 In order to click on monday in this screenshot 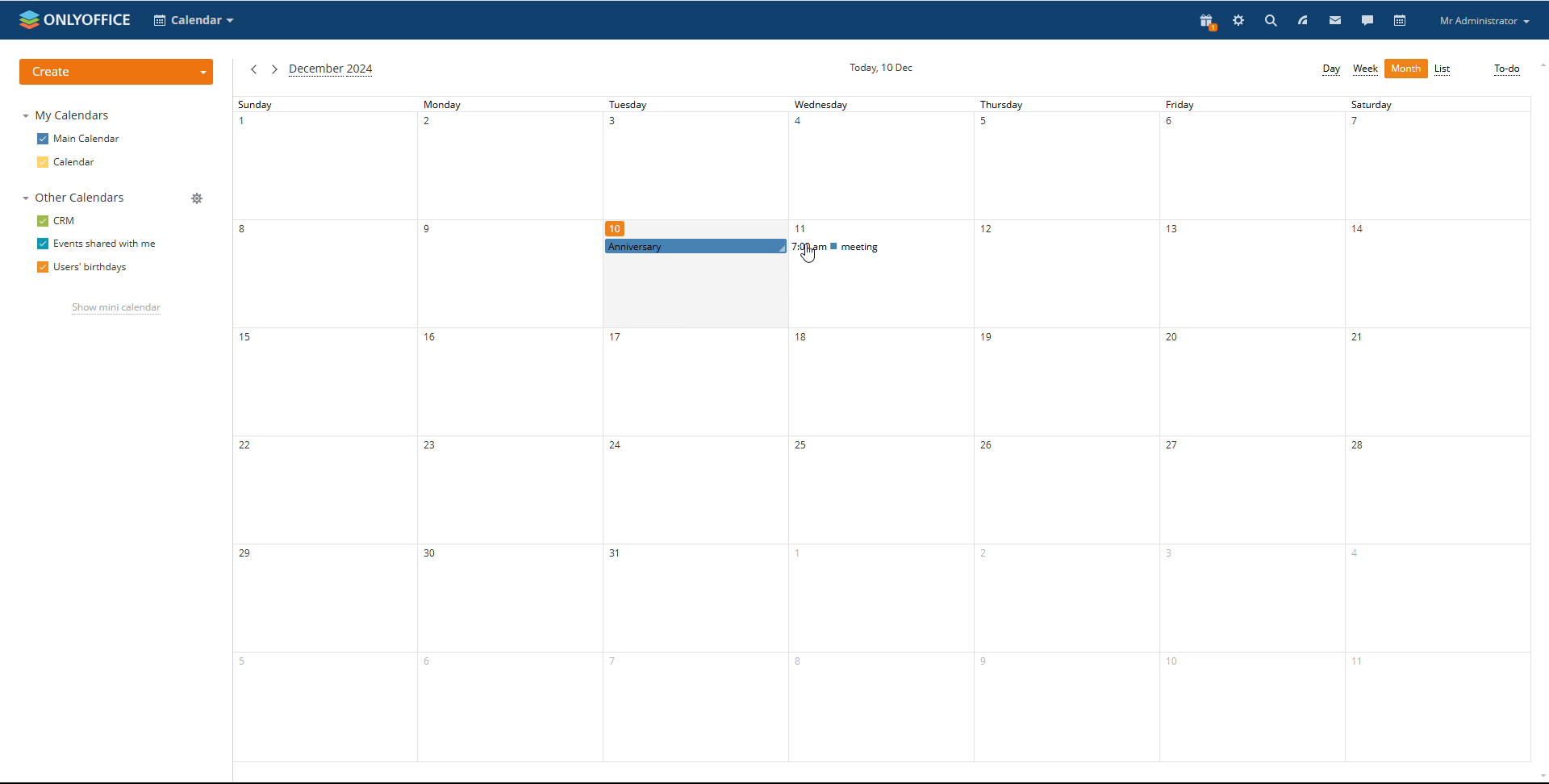, I will do `click(504, 429)`.